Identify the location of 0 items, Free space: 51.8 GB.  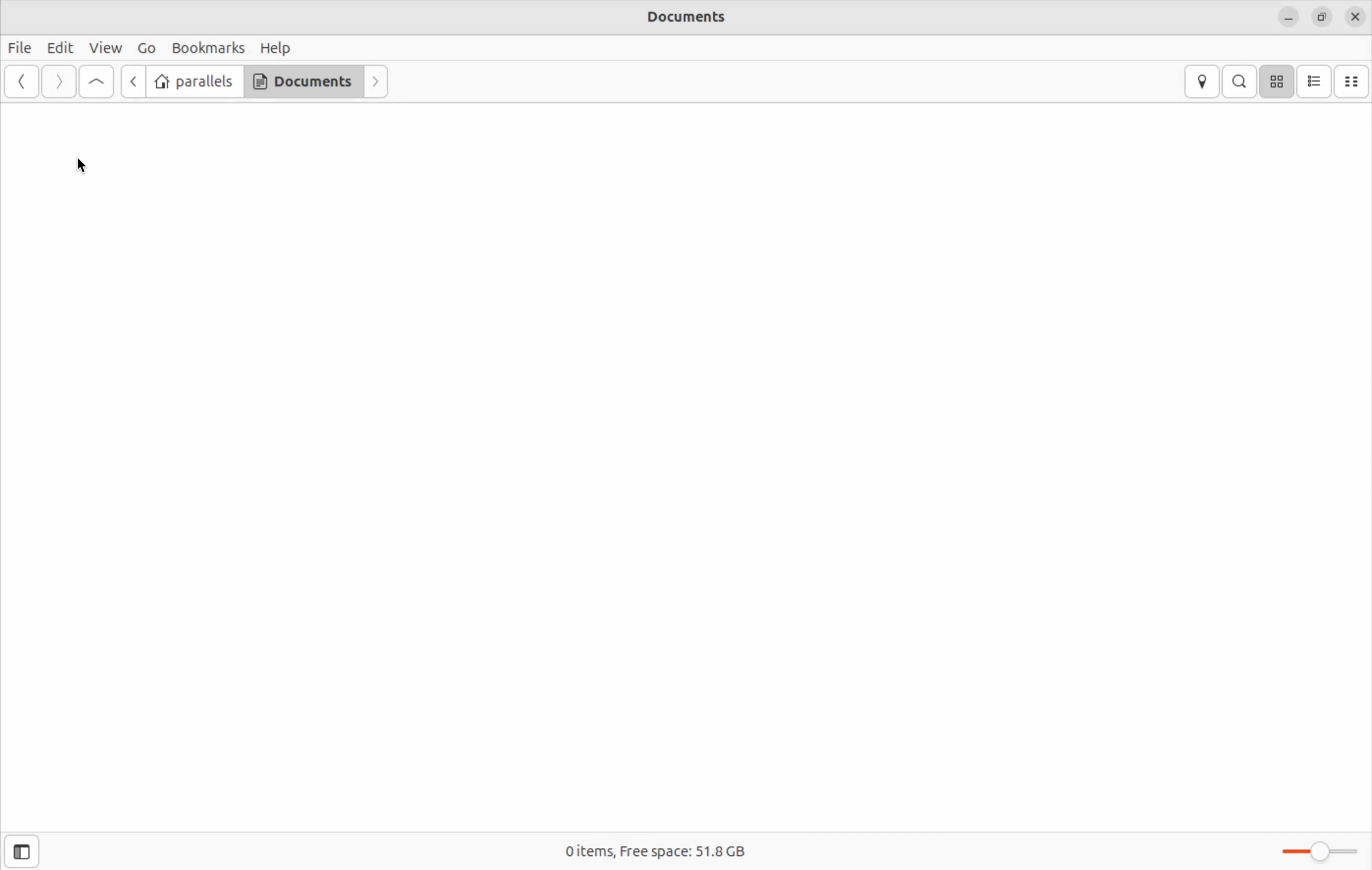
(658, 853).